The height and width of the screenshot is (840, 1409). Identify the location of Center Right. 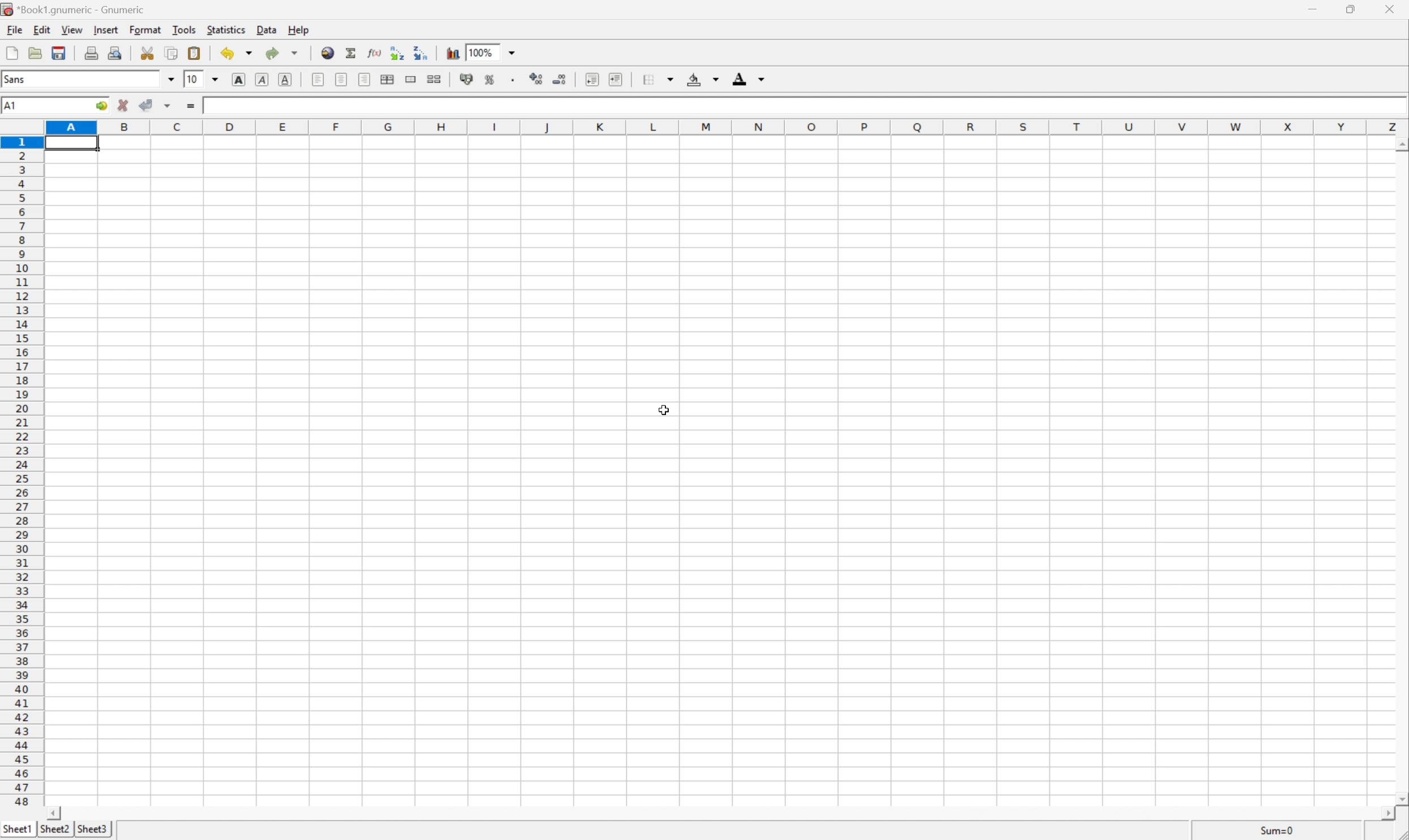
(364, 80).